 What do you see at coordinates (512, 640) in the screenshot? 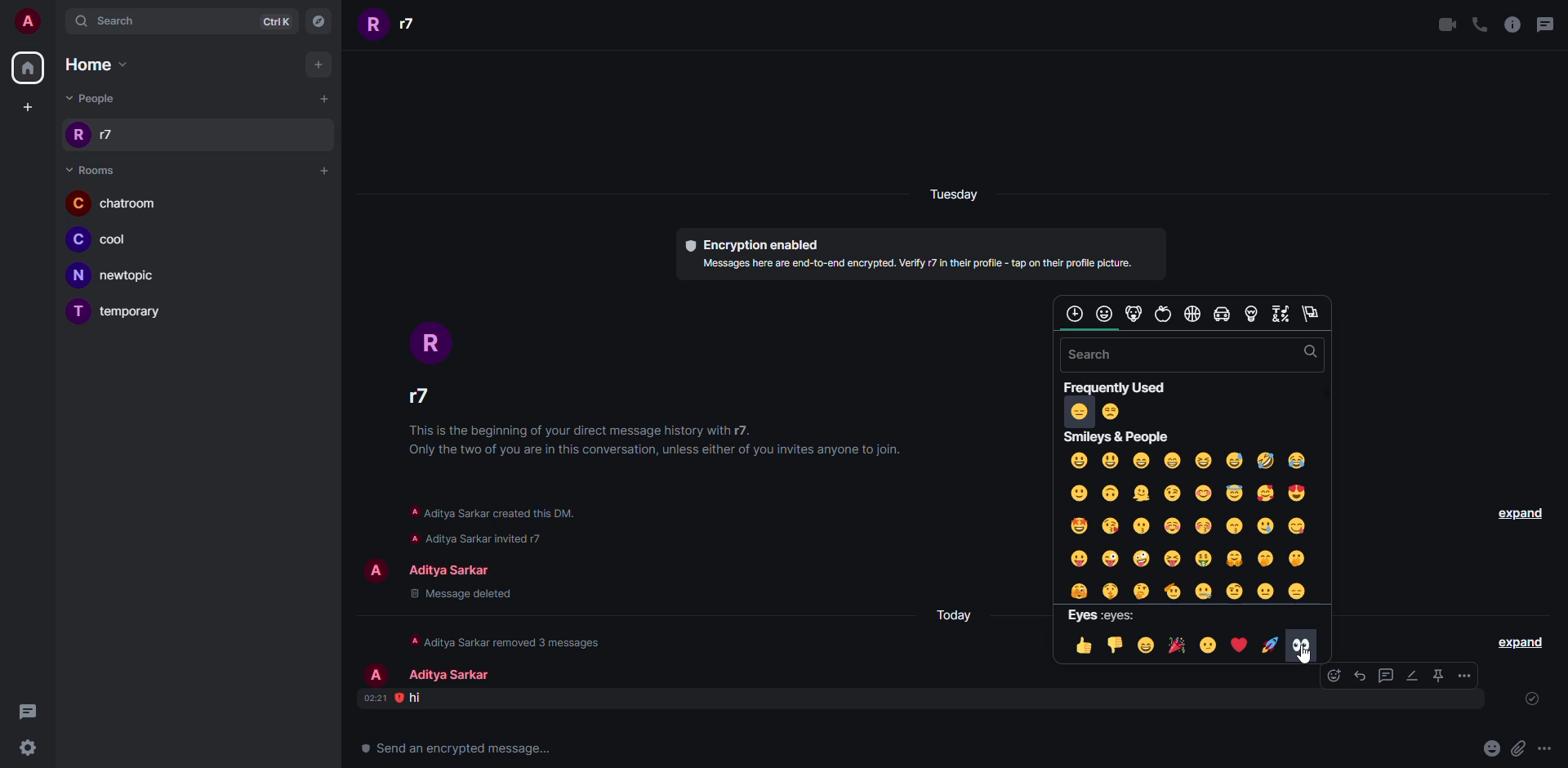
I see `info` at bounding box center [512, 640].